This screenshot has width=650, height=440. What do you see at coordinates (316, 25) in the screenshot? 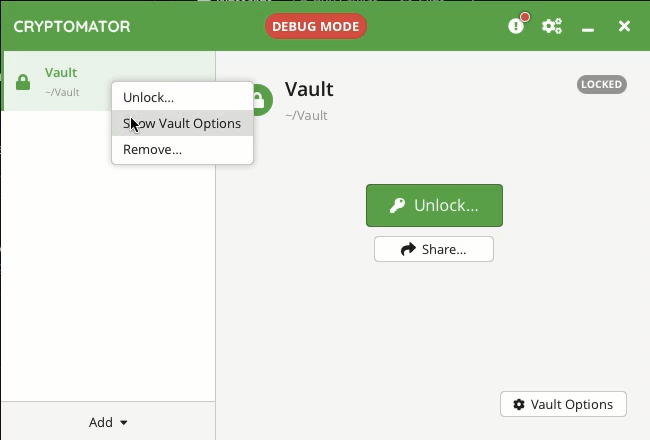
I see `DEBUG MODE` at bounding box center [316, 25].